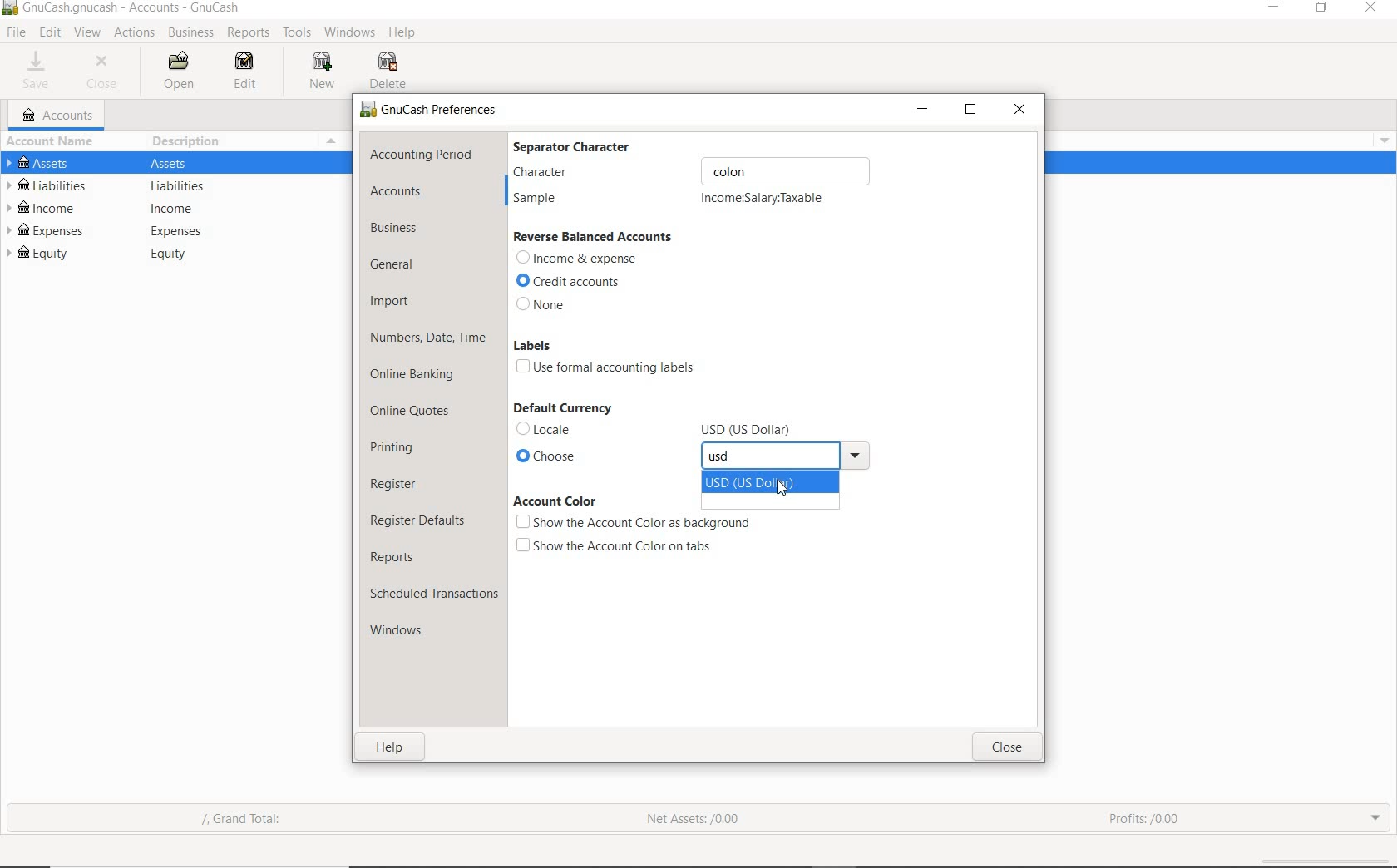  What do you see at coordinates (49, 32) in the screenshot?
I see `EDIT` at bounding box center [49, 32].